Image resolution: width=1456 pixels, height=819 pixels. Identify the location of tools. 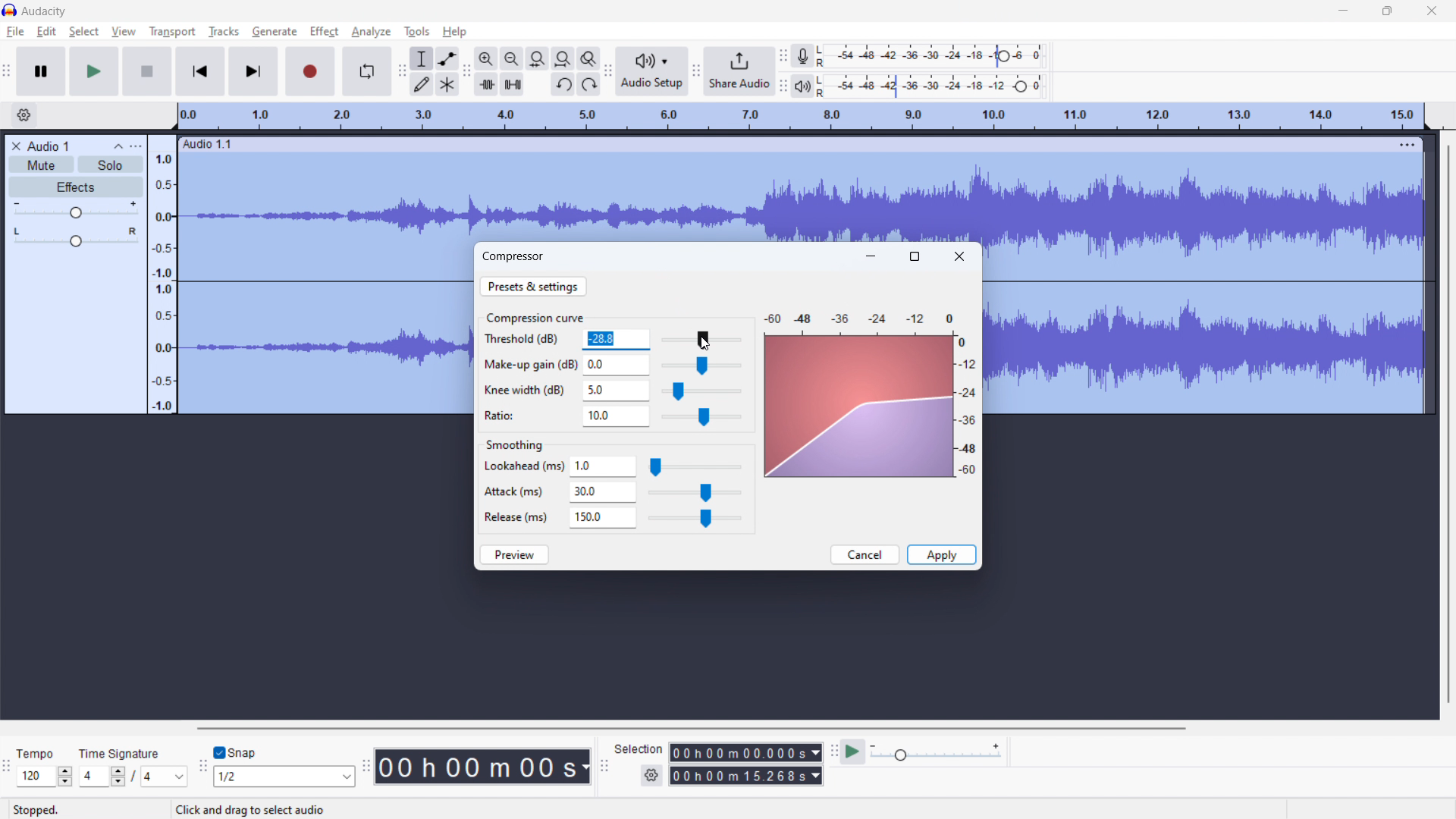
(417, 32).